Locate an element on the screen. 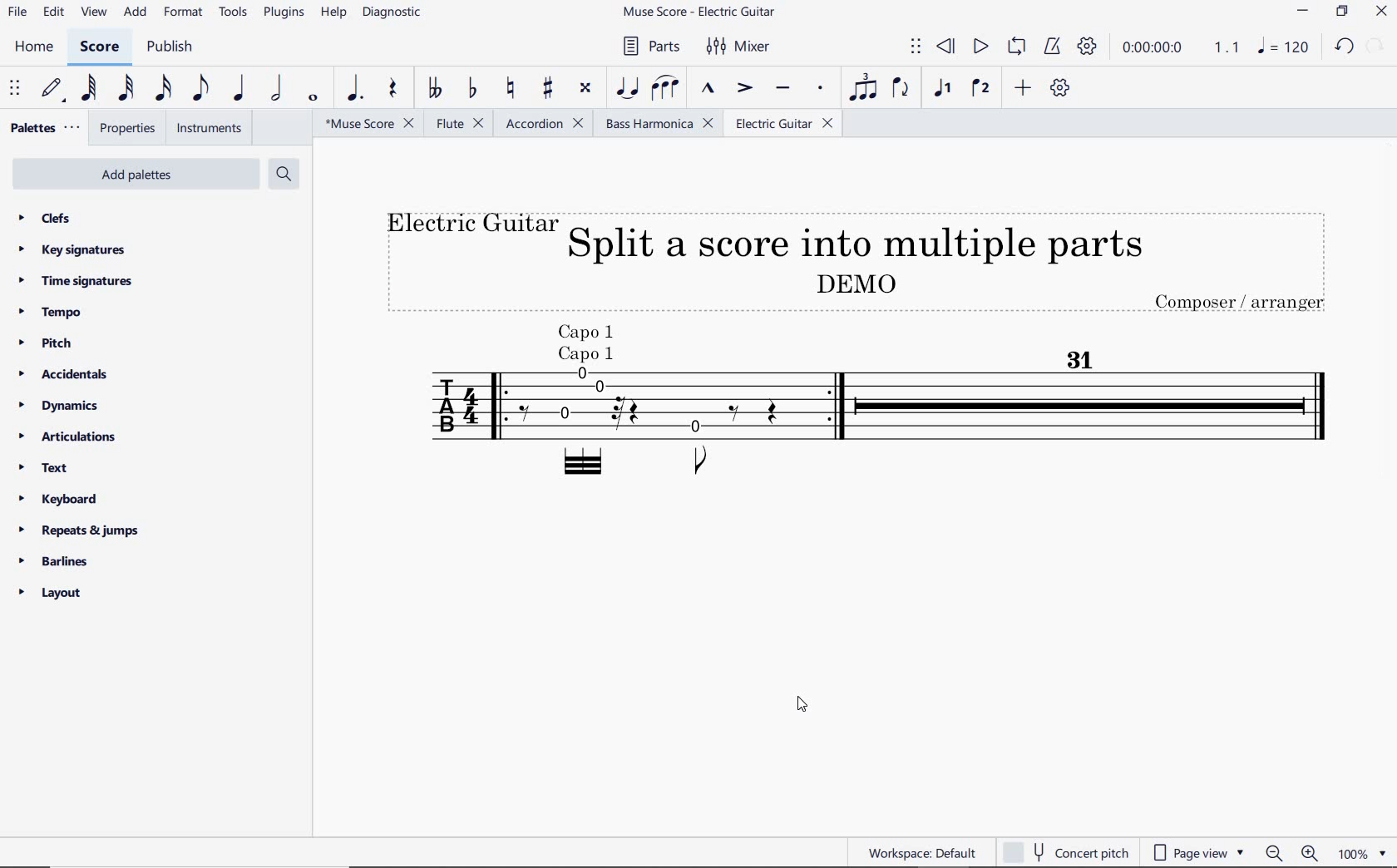 The height and width of the screenshot is (868, 1397). toggle natural is located at coordinates (512, 87).